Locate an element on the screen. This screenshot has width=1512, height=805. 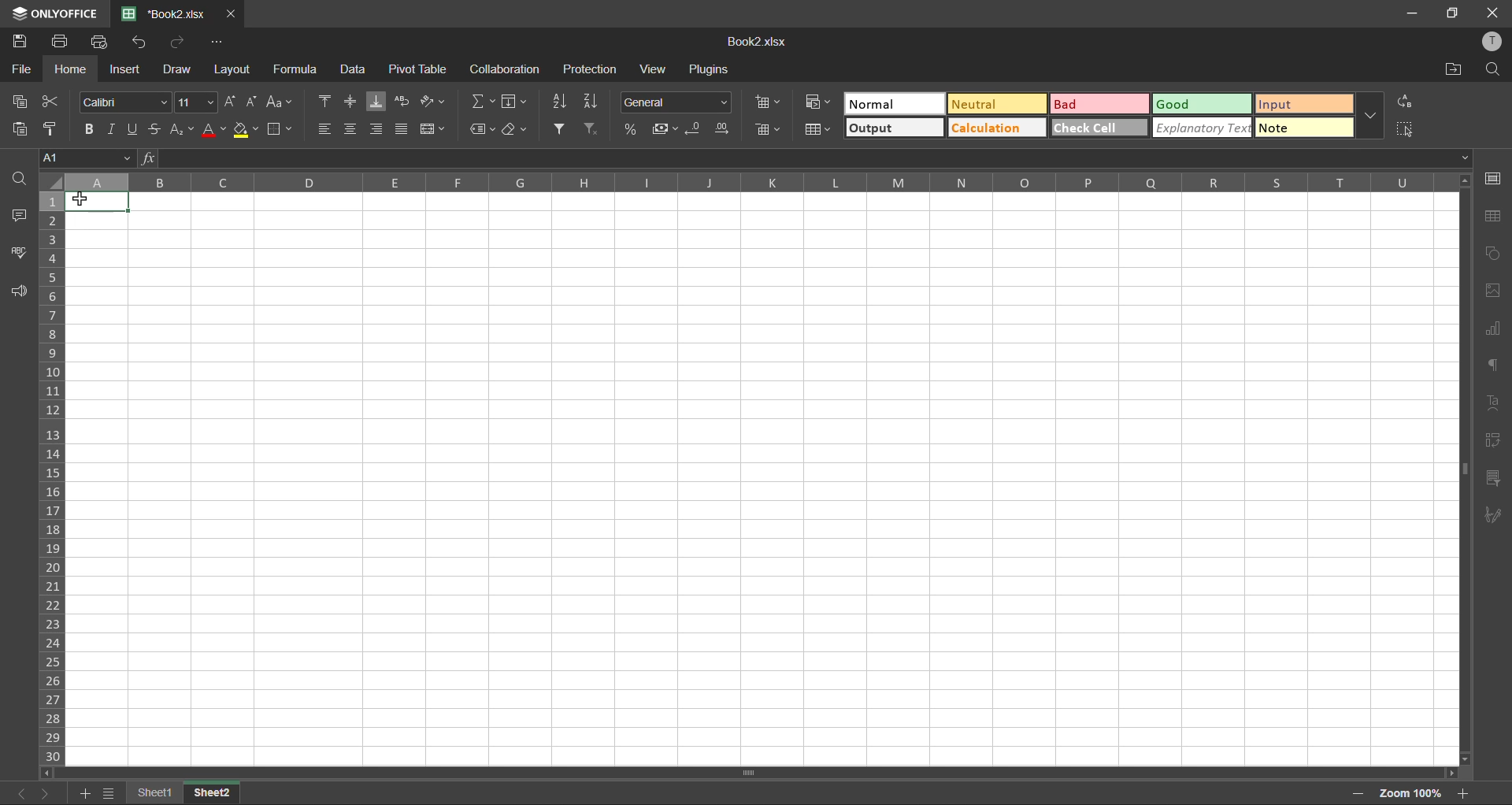
minimize is located at coordinates (1414, 12).